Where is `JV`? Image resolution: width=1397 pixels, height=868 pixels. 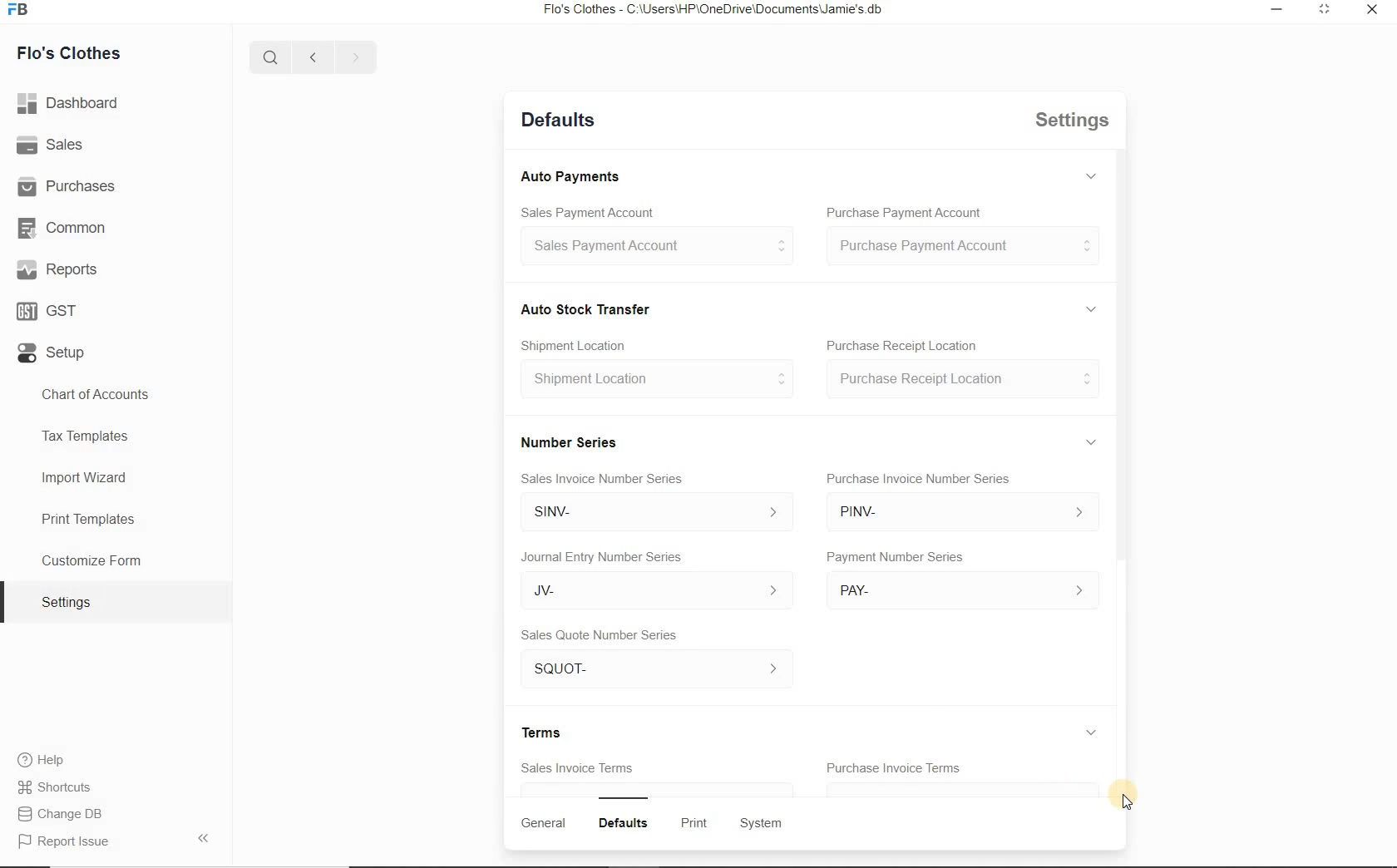
JV is located at coordinates (650, 592).